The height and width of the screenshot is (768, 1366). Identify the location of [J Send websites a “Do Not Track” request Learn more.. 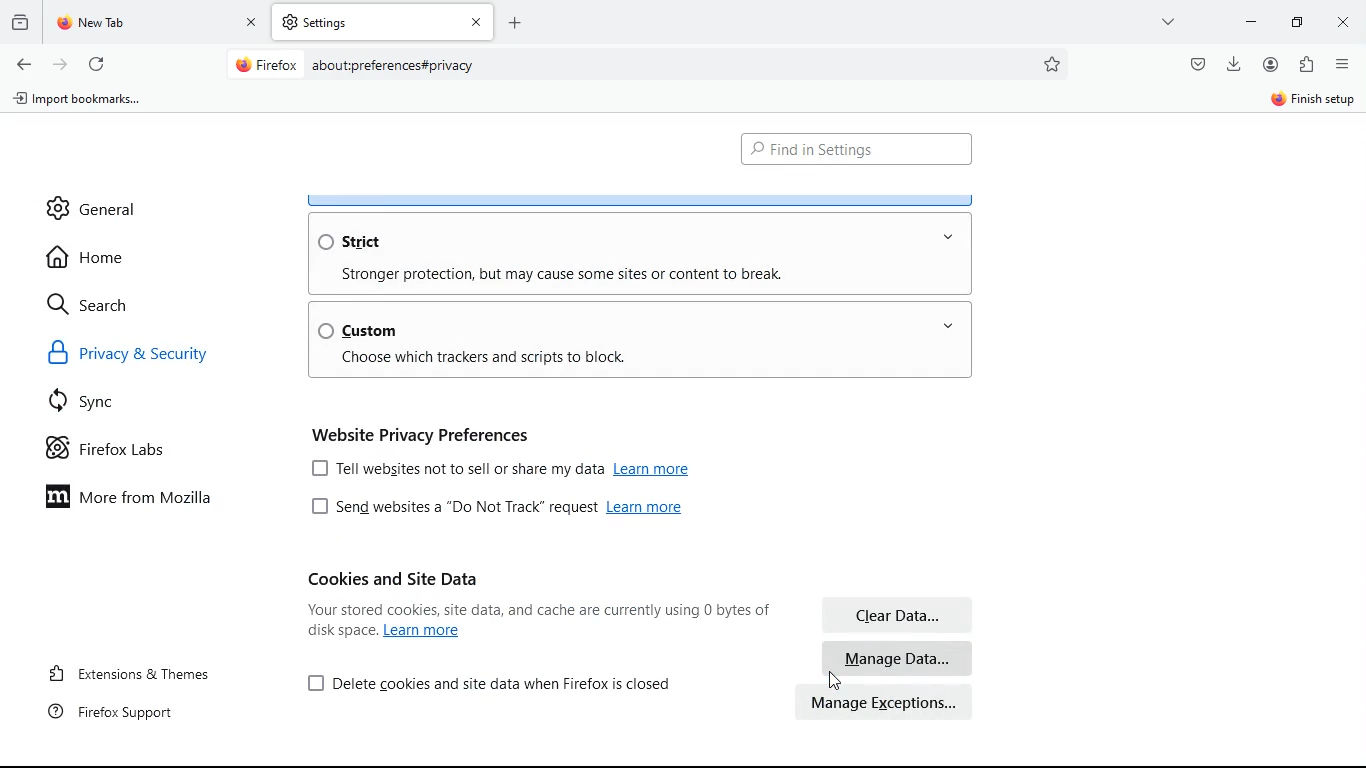
(492, 506).